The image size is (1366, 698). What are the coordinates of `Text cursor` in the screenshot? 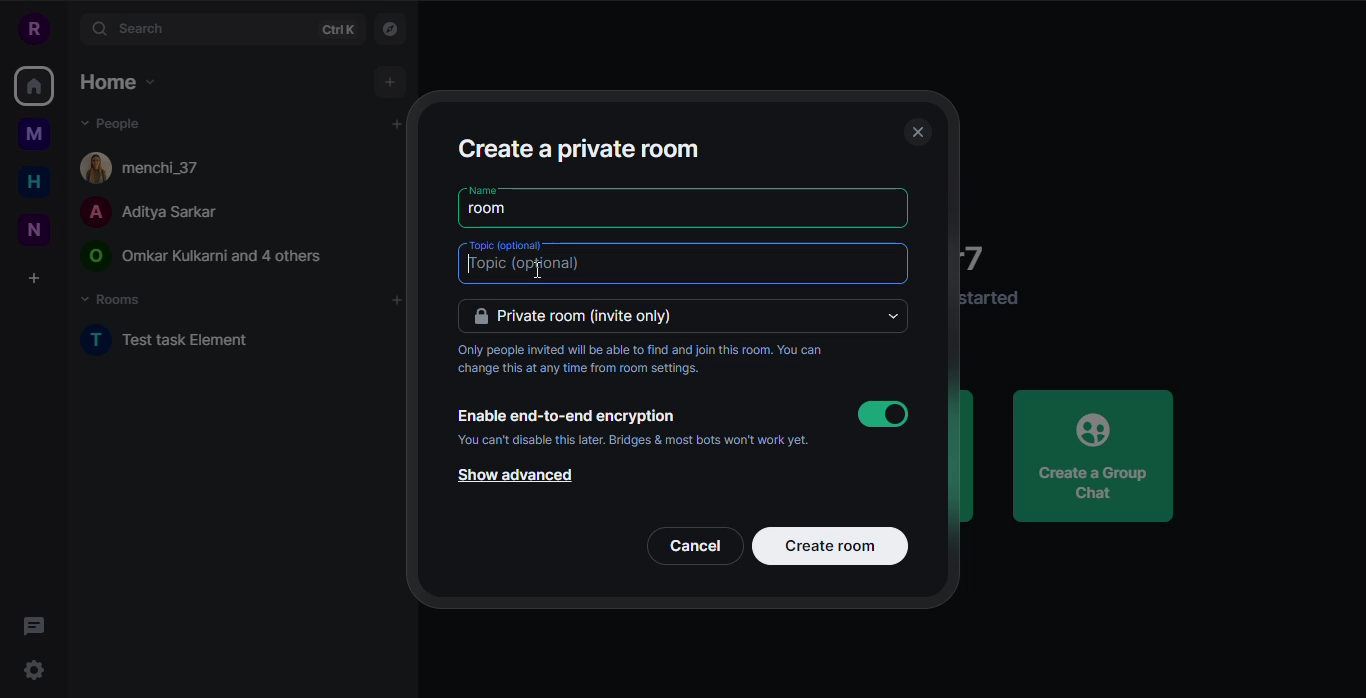 It's located at (538, 271).